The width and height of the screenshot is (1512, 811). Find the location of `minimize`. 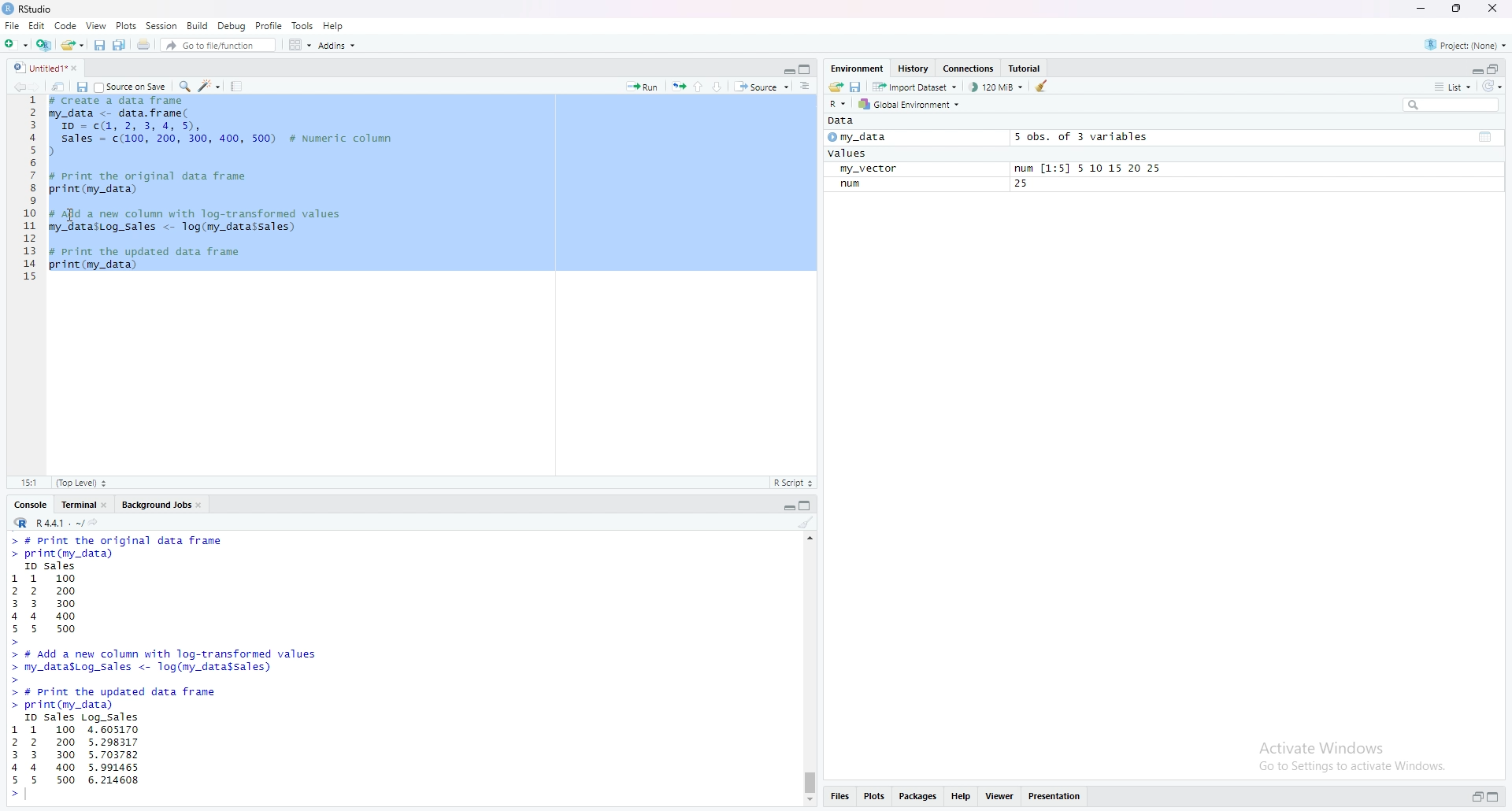

minimize is located at coordinates (1474, 69).